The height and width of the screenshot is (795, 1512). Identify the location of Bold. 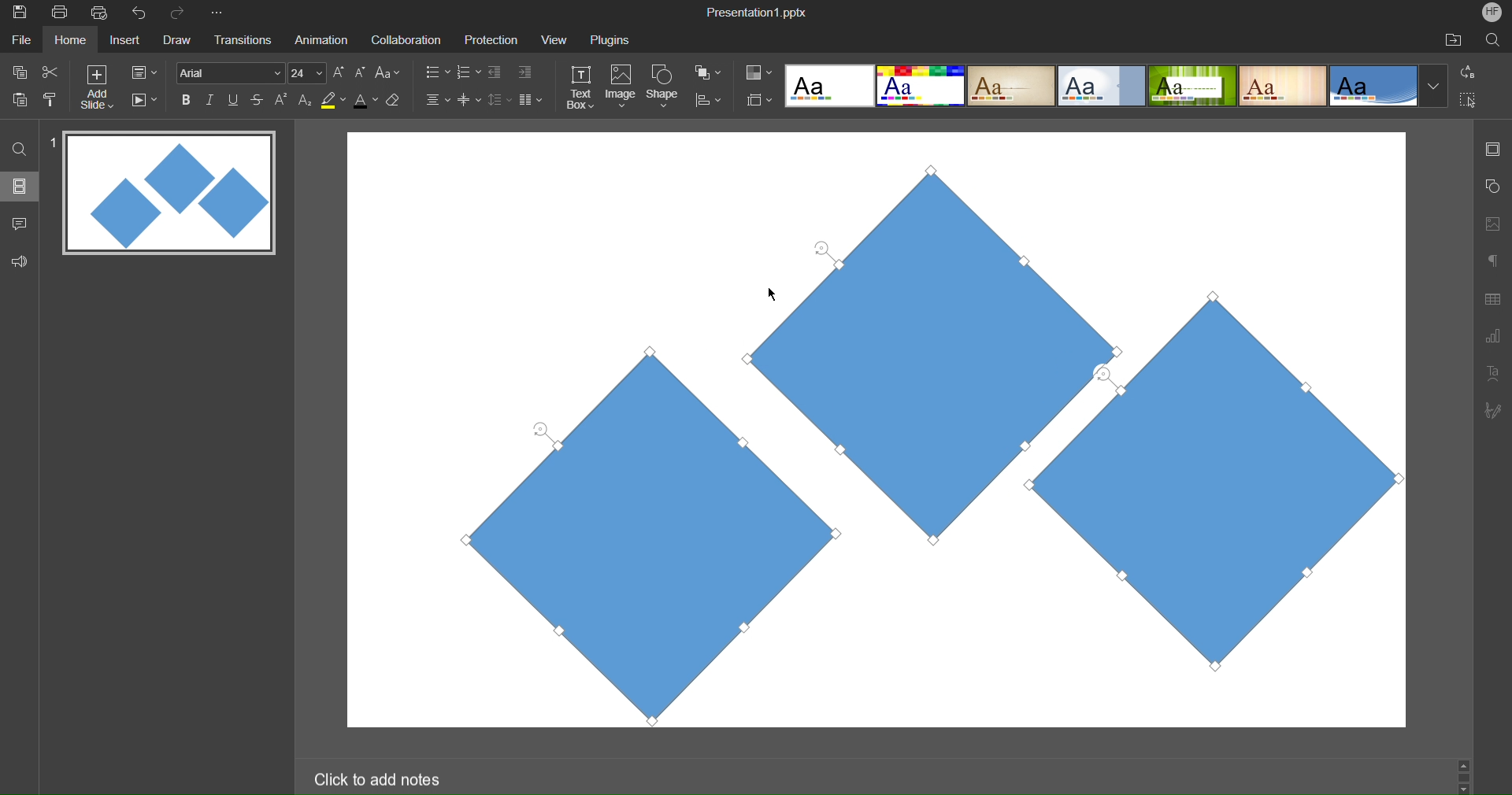
(187, 99).